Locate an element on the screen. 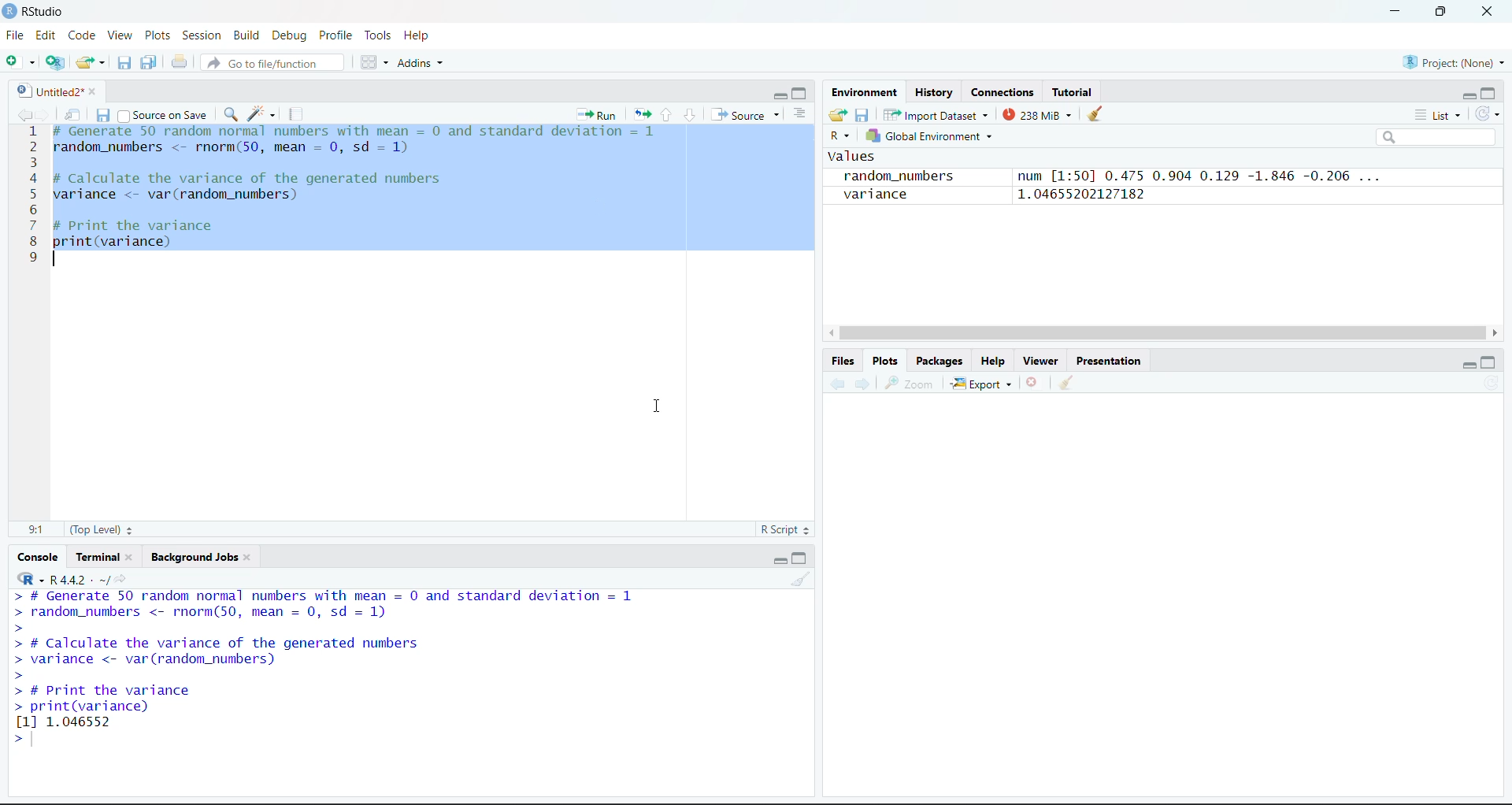  Console is located at coordinates (38, 558).